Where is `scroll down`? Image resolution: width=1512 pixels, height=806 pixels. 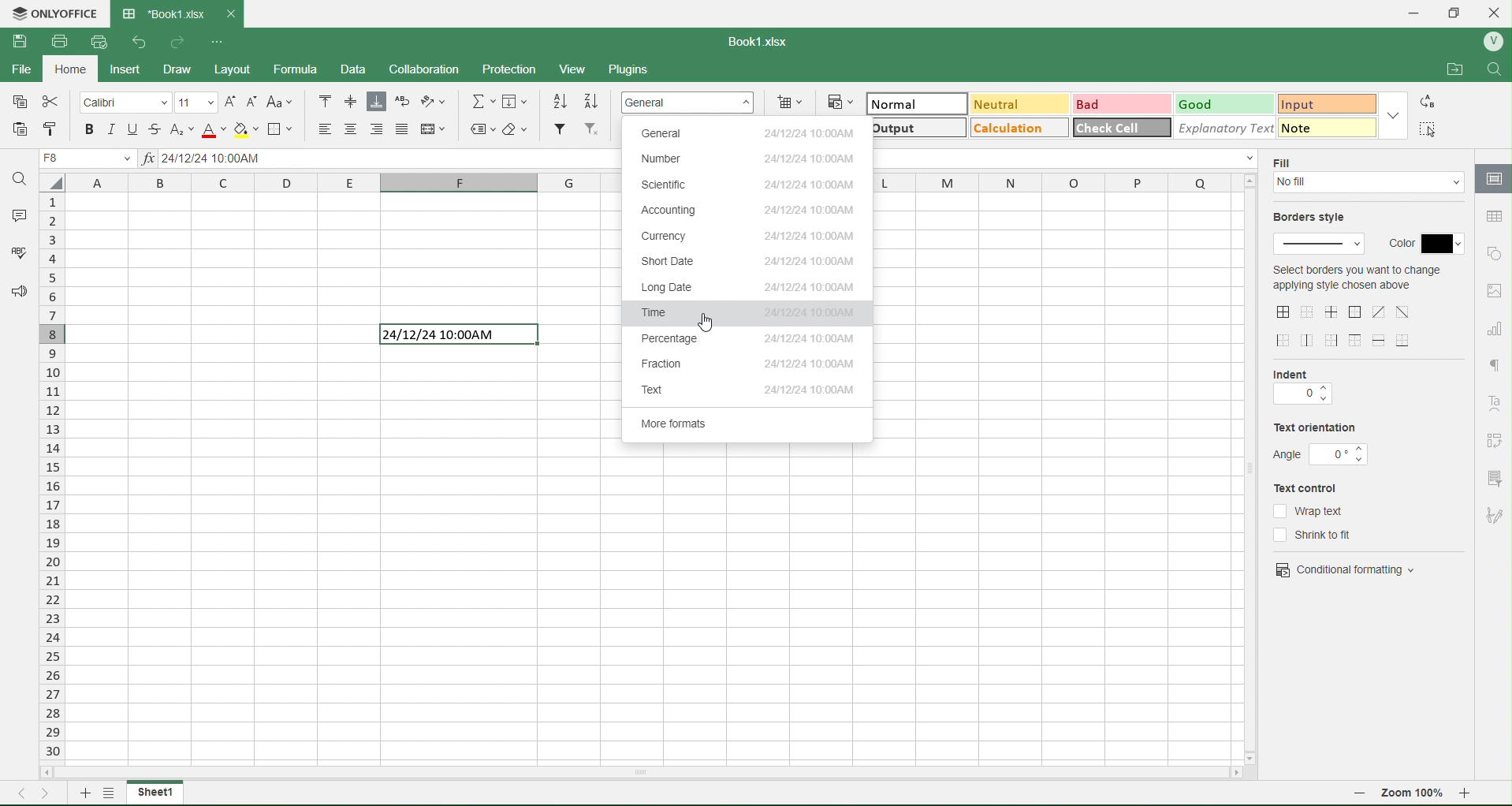
scroll down is located at coordinates (1254, 753).